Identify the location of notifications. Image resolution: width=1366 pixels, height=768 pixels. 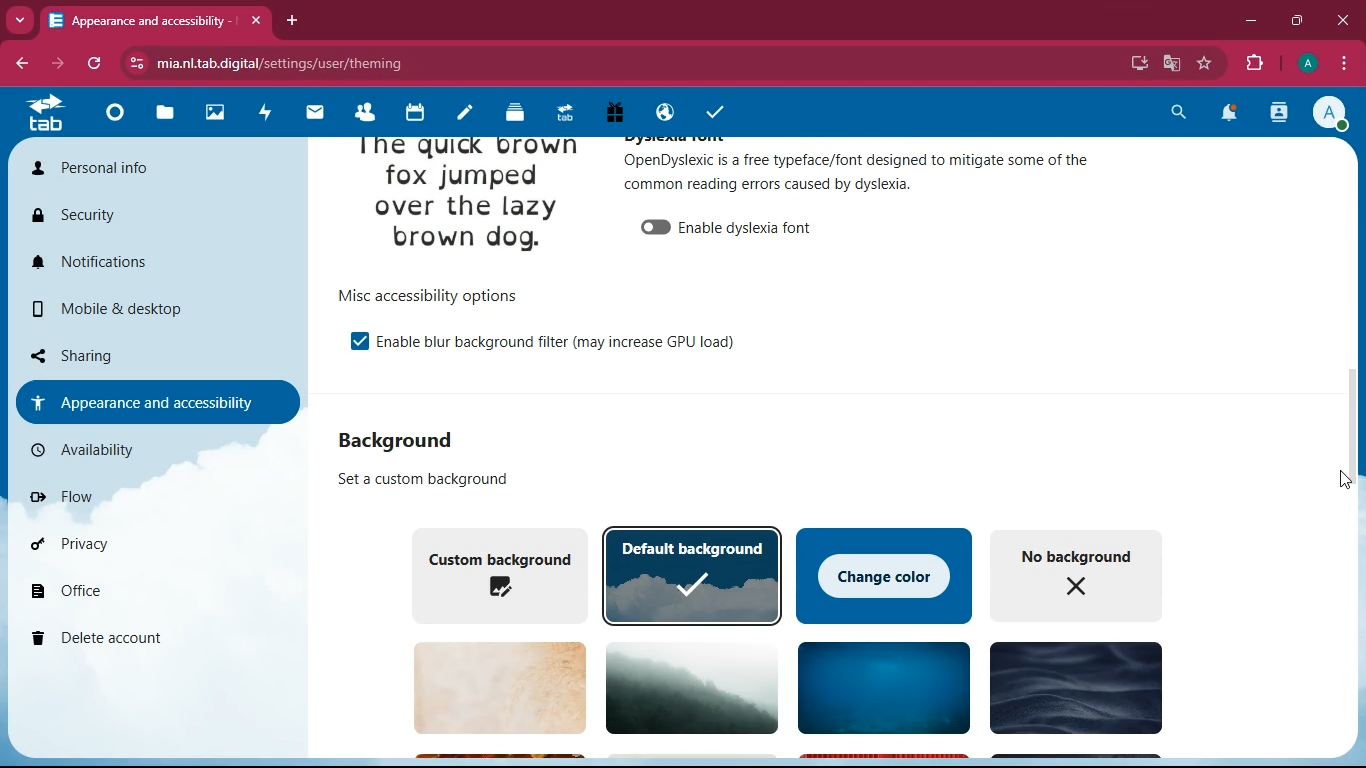
(157, 264).